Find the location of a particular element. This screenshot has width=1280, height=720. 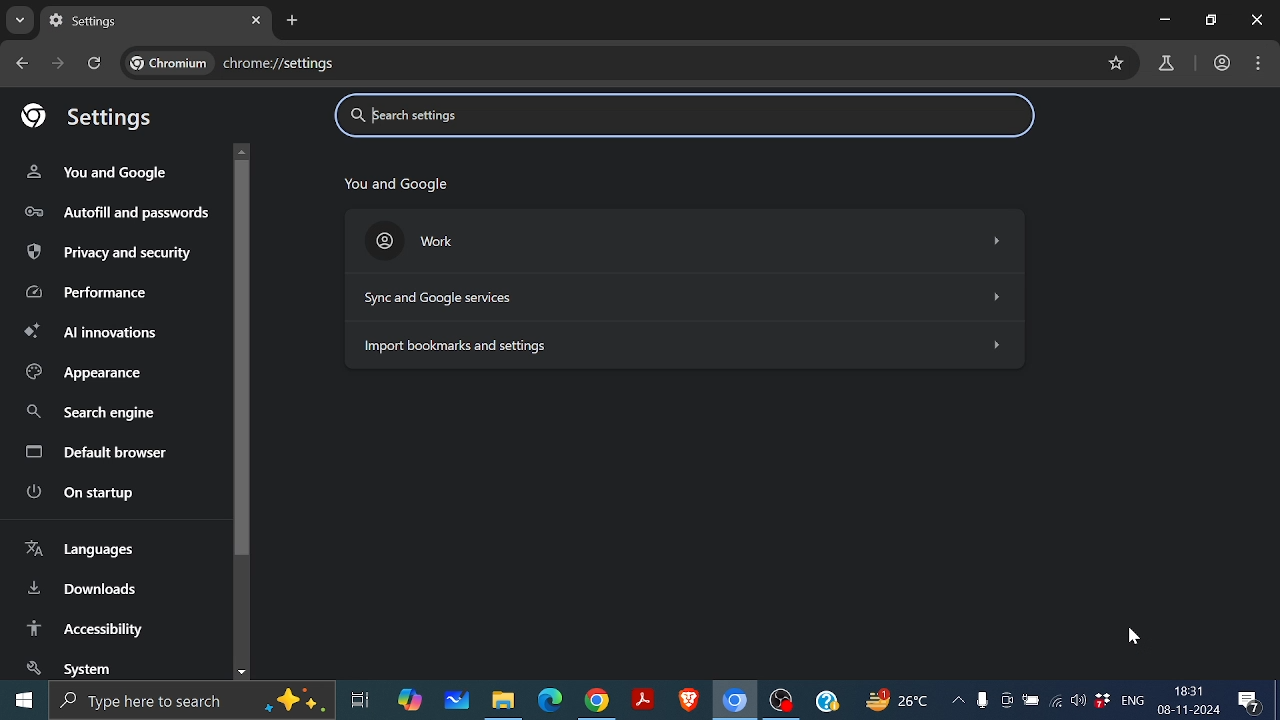

Accessibility is located at coordinates (87, 630).